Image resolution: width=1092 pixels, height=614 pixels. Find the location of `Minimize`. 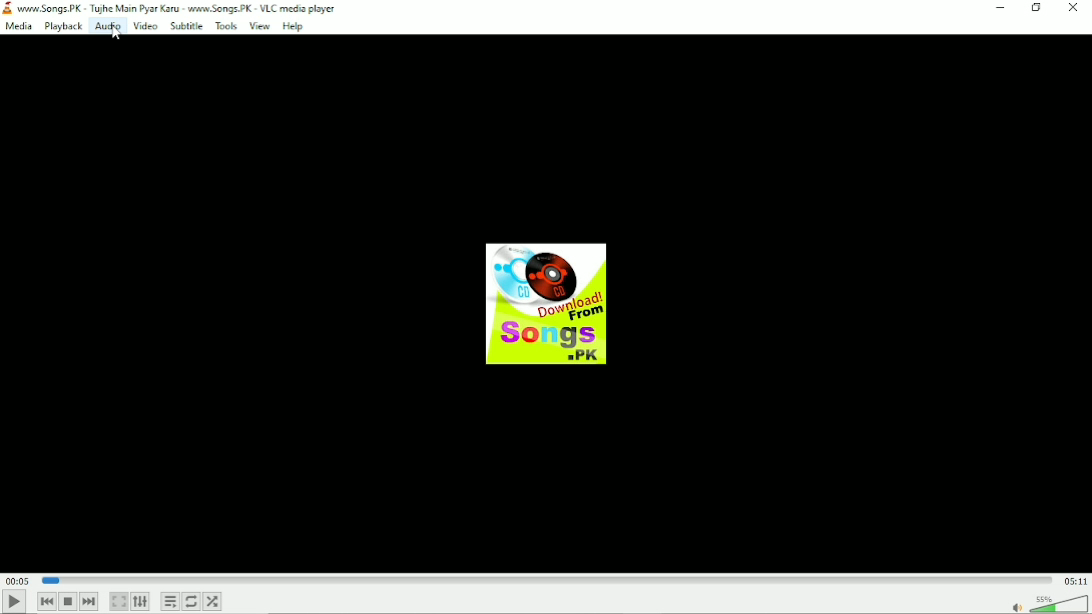

Minimize is located at coordinates (1003, 8).